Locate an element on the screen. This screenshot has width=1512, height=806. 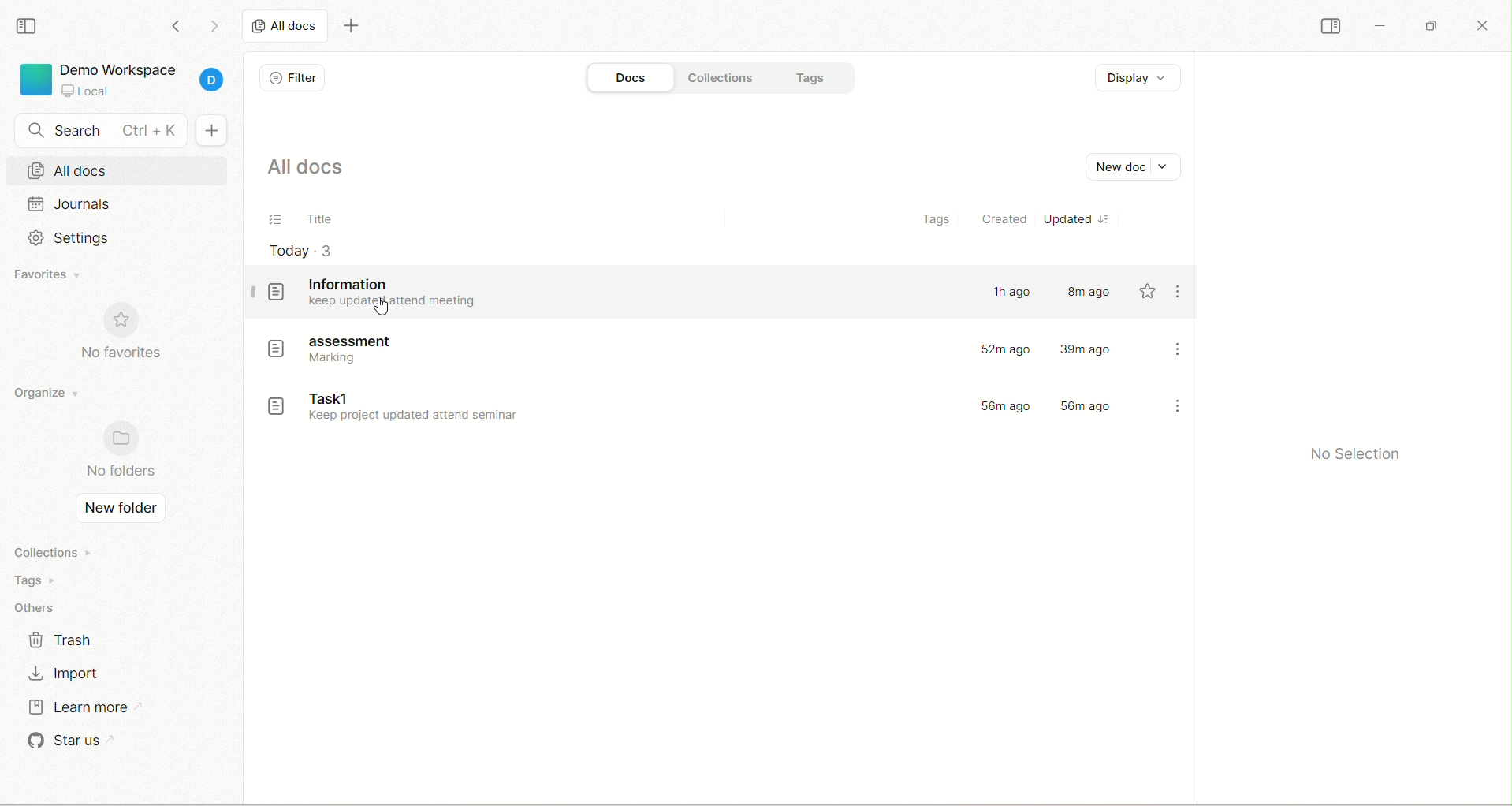
favorites is located at coordinates (48, 274).